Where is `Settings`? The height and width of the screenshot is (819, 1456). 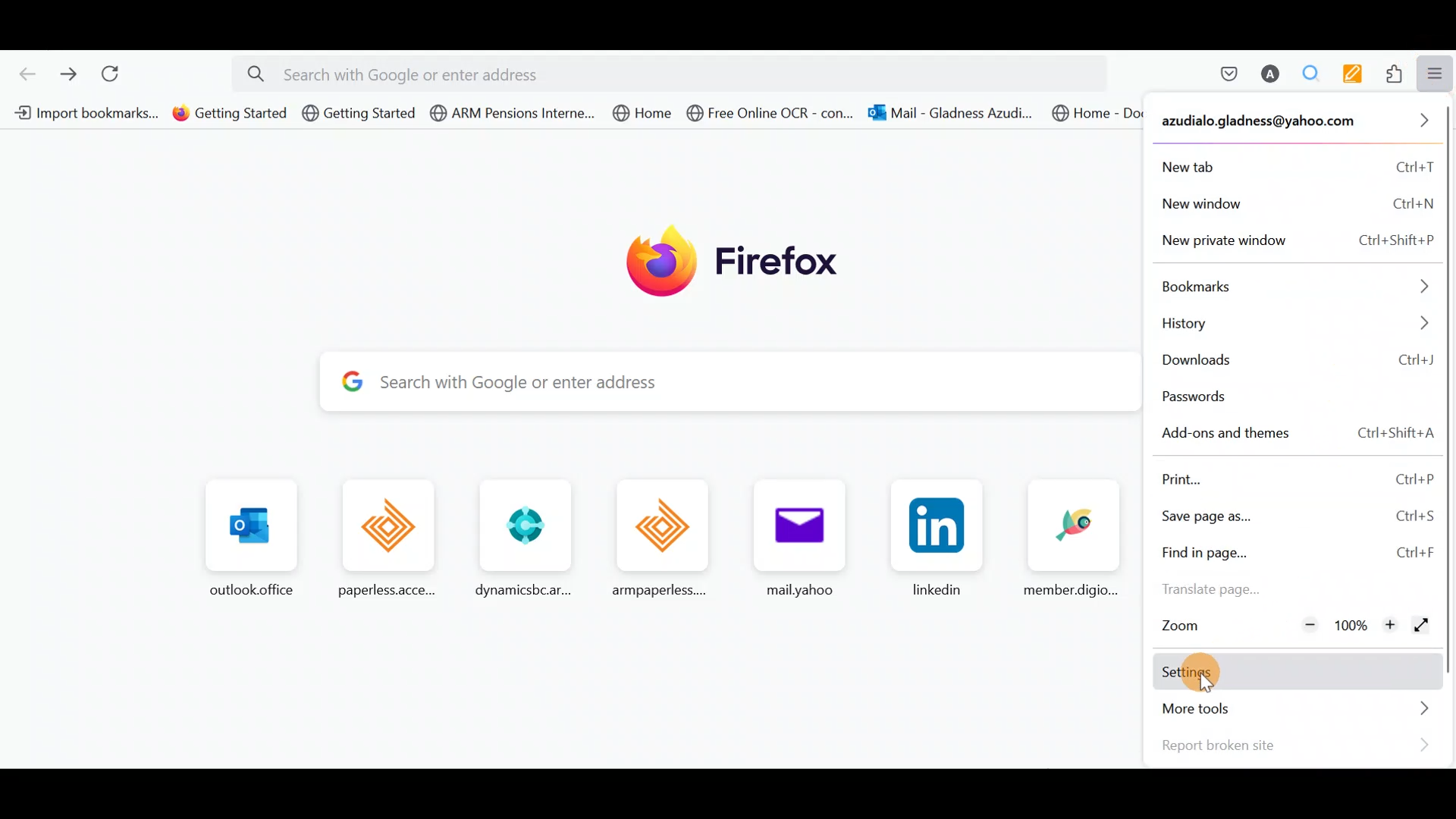 Settings is located at coordinates (1286, 668).